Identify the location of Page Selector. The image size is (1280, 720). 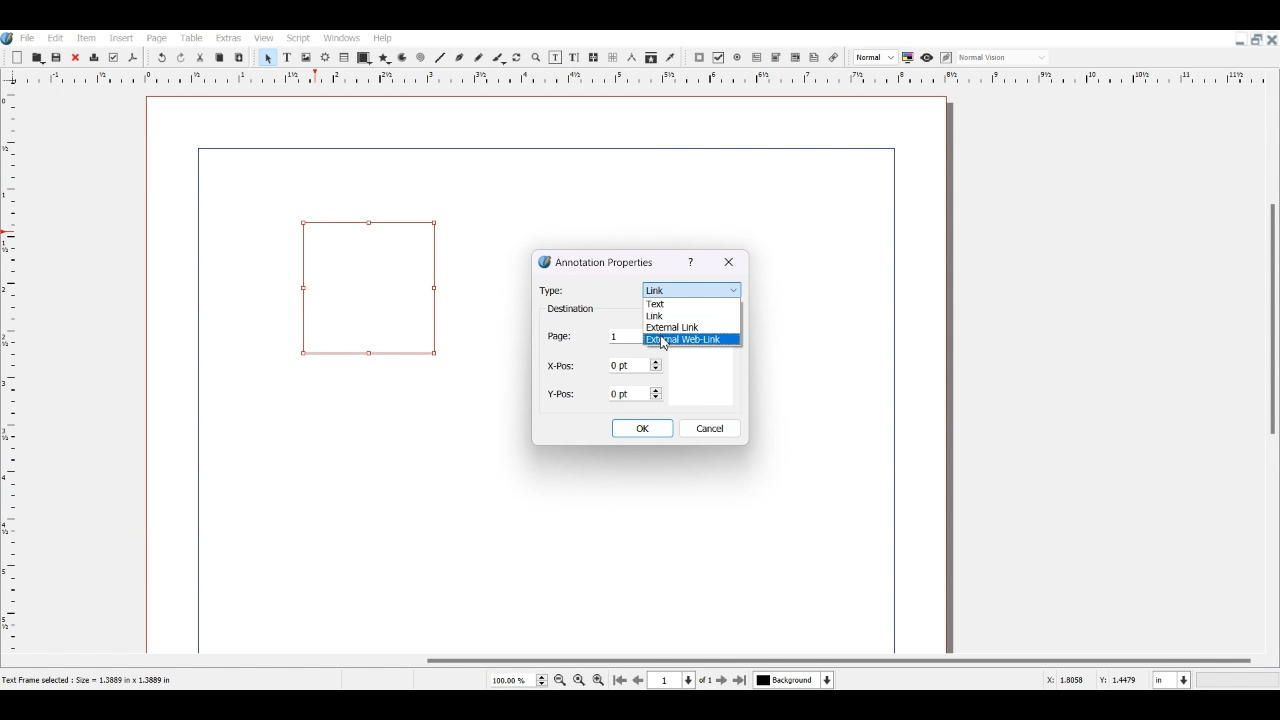
(591, 338).